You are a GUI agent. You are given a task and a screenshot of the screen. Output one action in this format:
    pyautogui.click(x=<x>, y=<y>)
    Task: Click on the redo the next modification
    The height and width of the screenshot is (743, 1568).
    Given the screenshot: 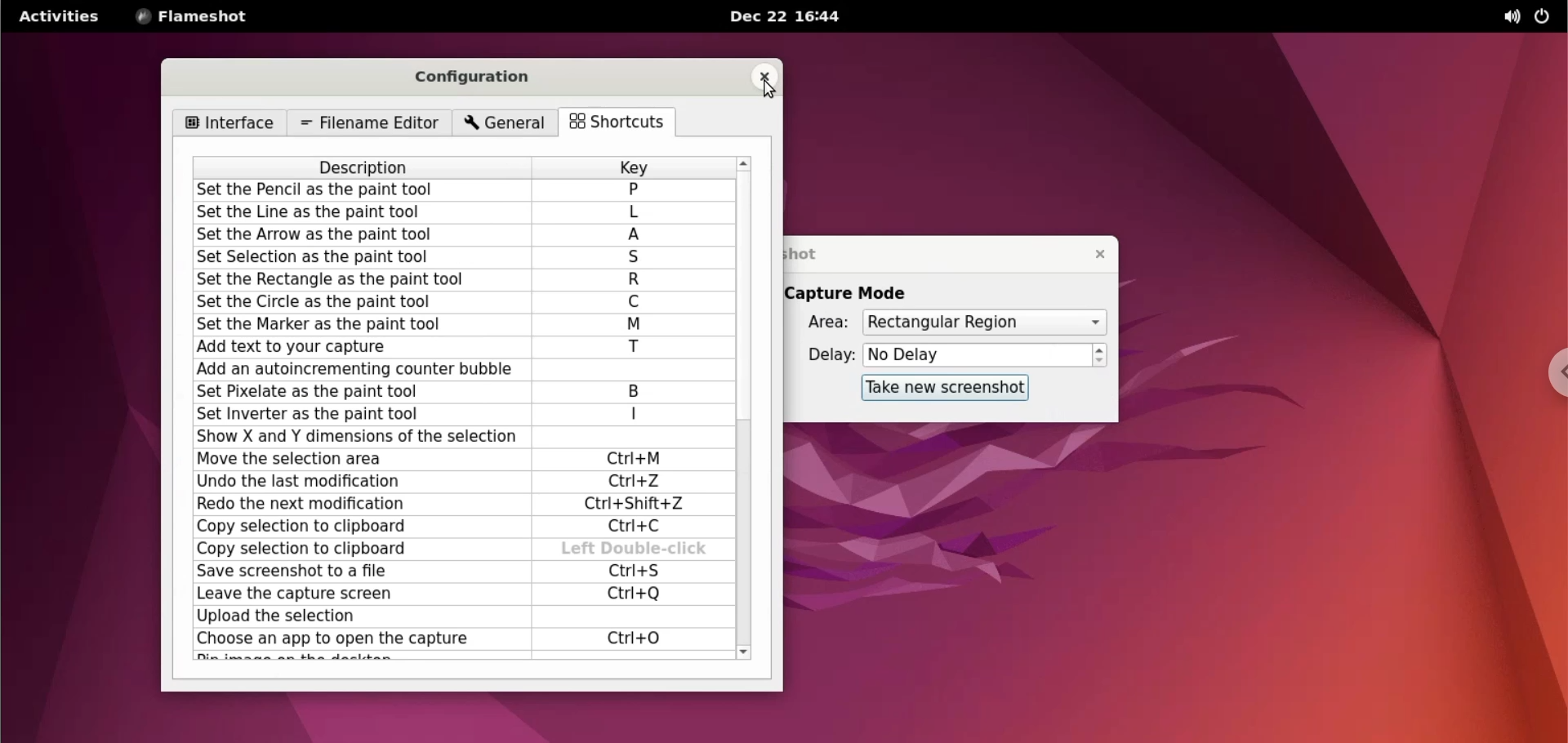 What is the action you would take?
    pyautogui.click(x=354, y=506)
    